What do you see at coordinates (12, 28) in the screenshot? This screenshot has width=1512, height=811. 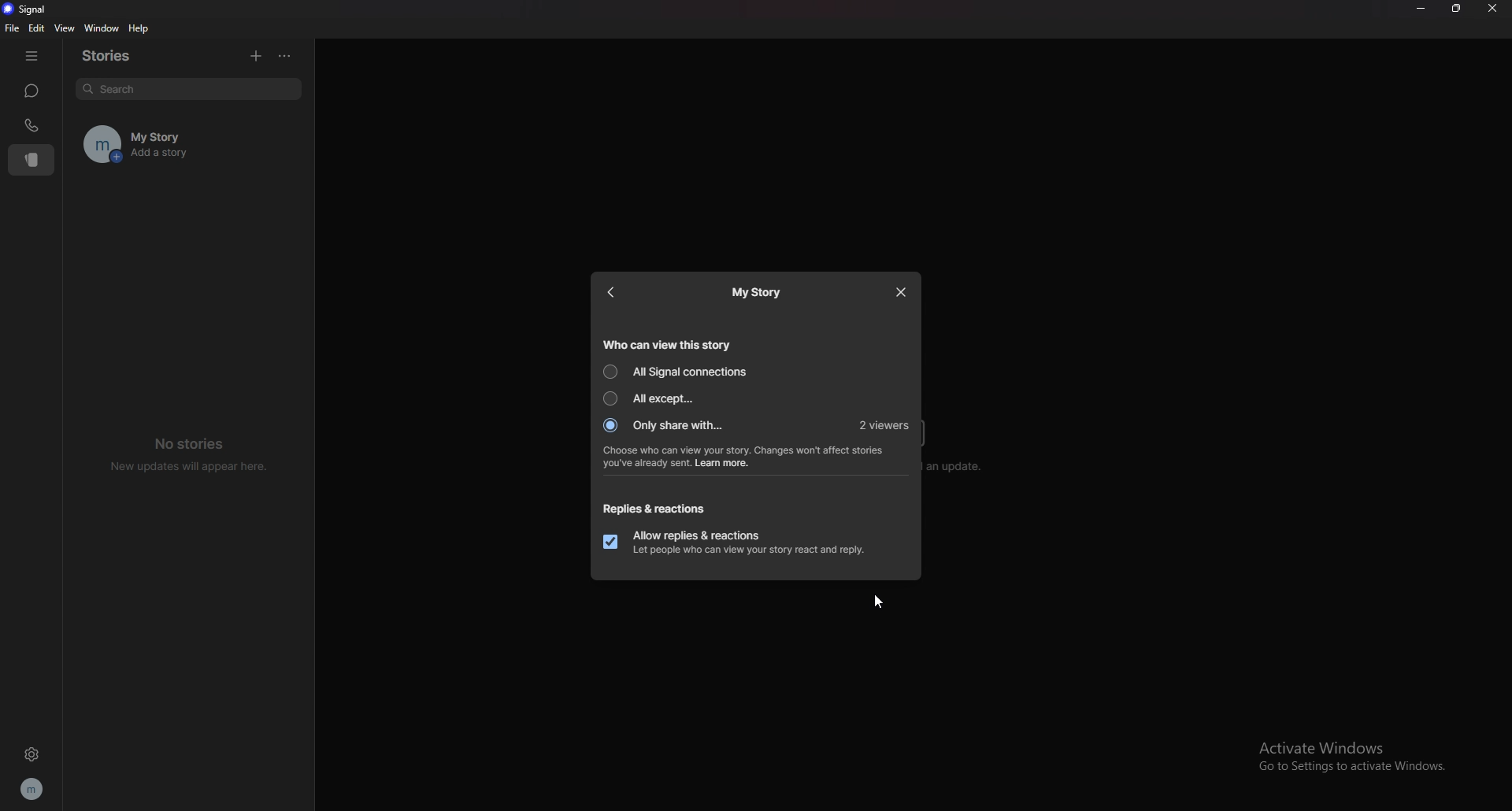 I see `file` at bounding box center [12, 28].